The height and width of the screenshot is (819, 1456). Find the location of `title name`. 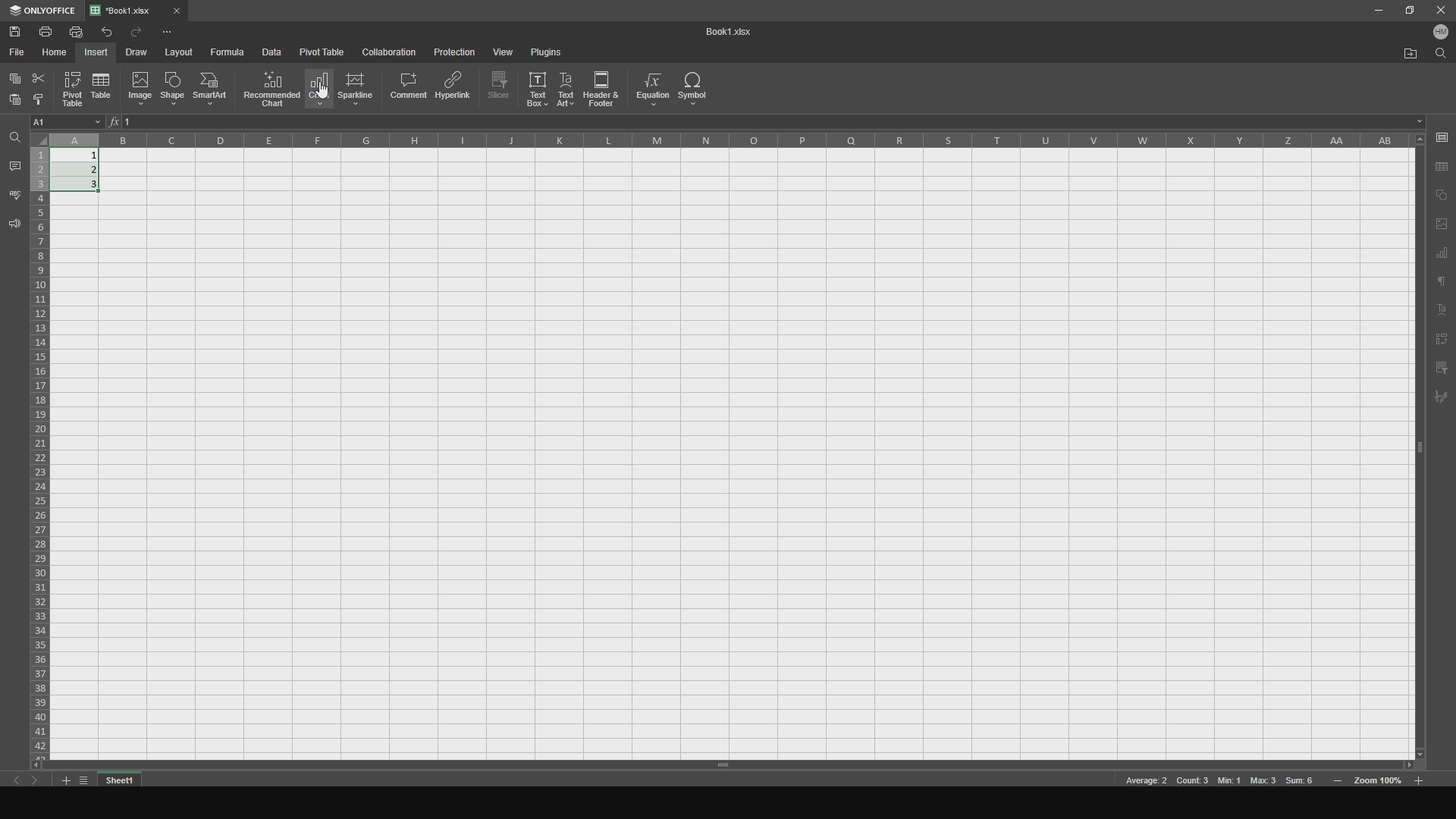

title name is located at coordinates (724, 31).